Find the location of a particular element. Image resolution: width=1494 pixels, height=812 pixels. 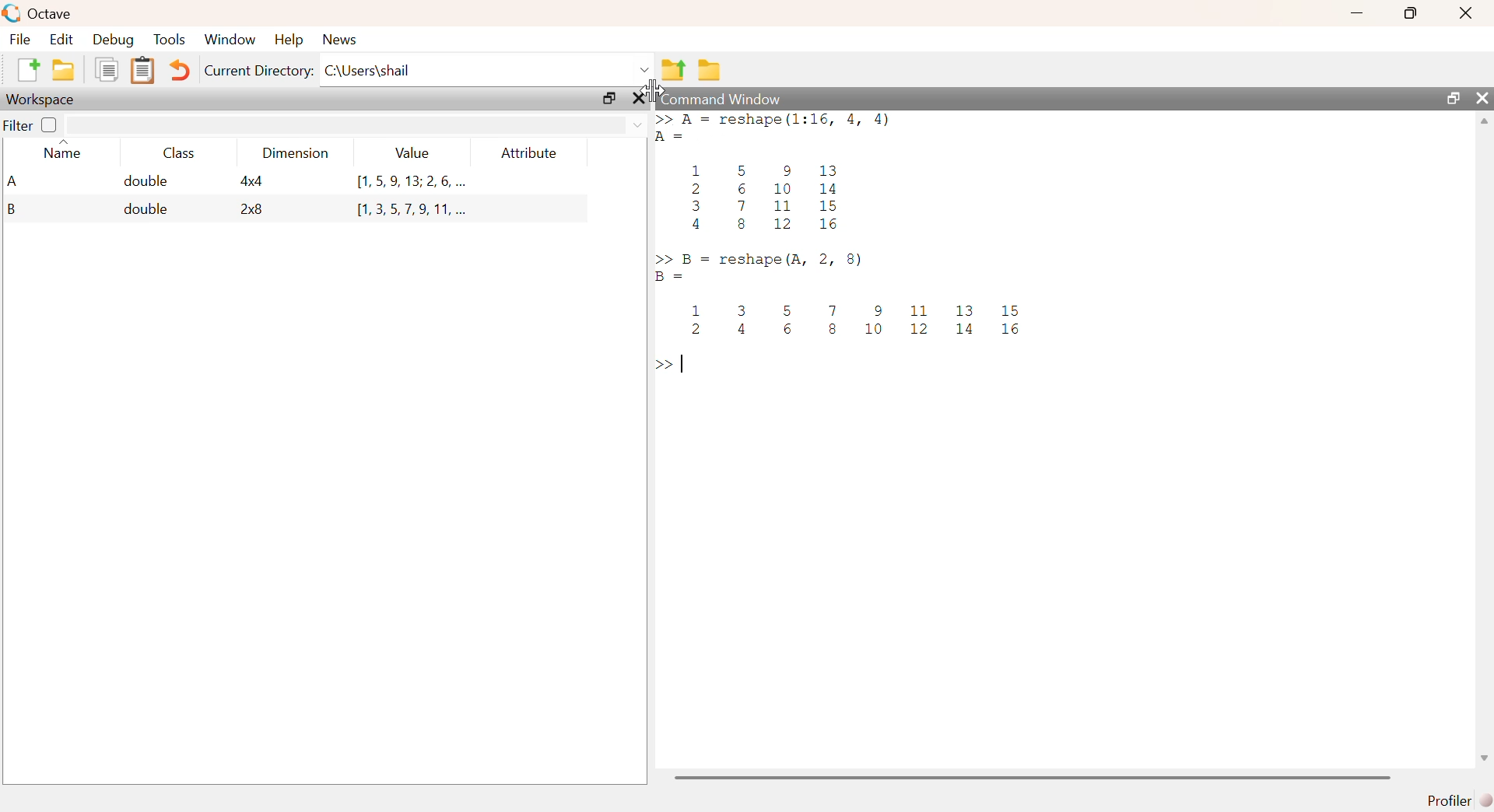

help is located at coordinates (291, 41).